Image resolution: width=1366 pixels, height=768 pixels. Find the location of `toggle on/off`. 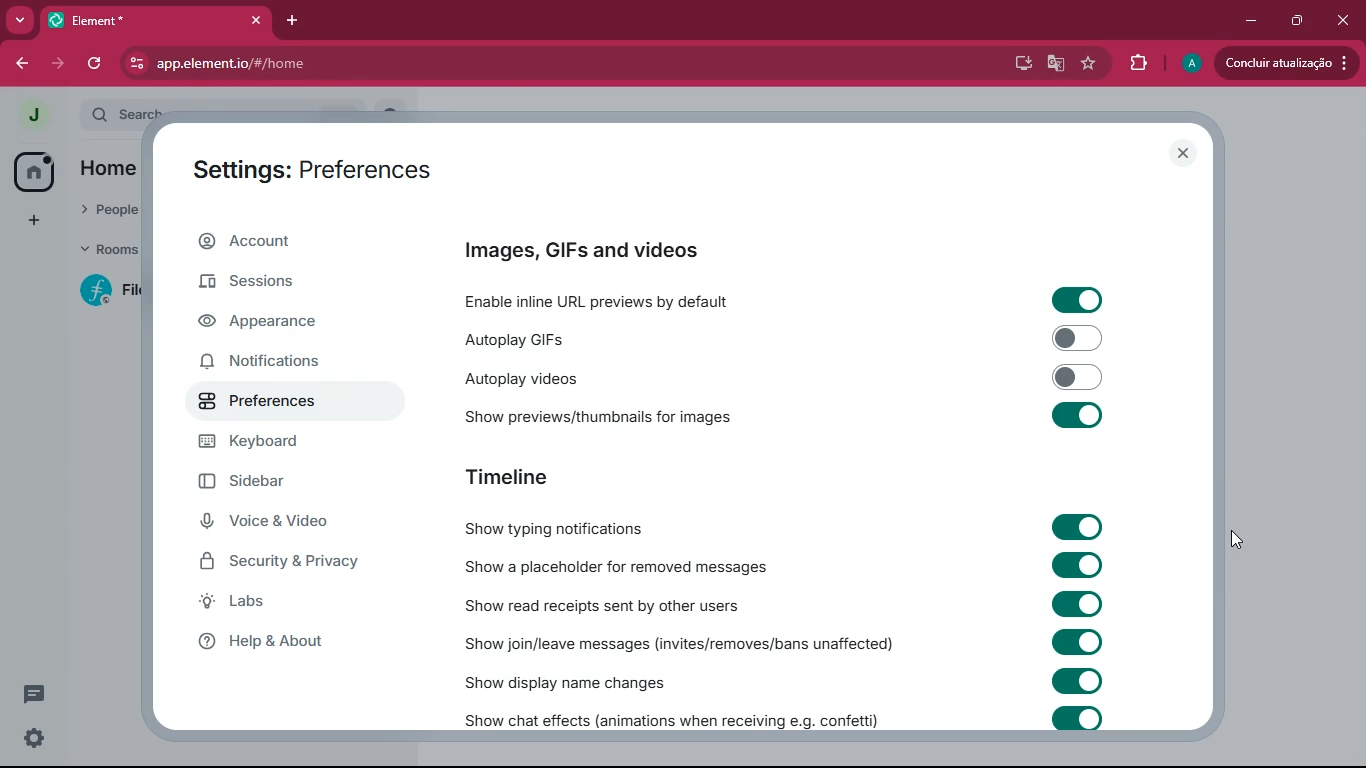

toggle on/off is located at coordinates (1079, 527).